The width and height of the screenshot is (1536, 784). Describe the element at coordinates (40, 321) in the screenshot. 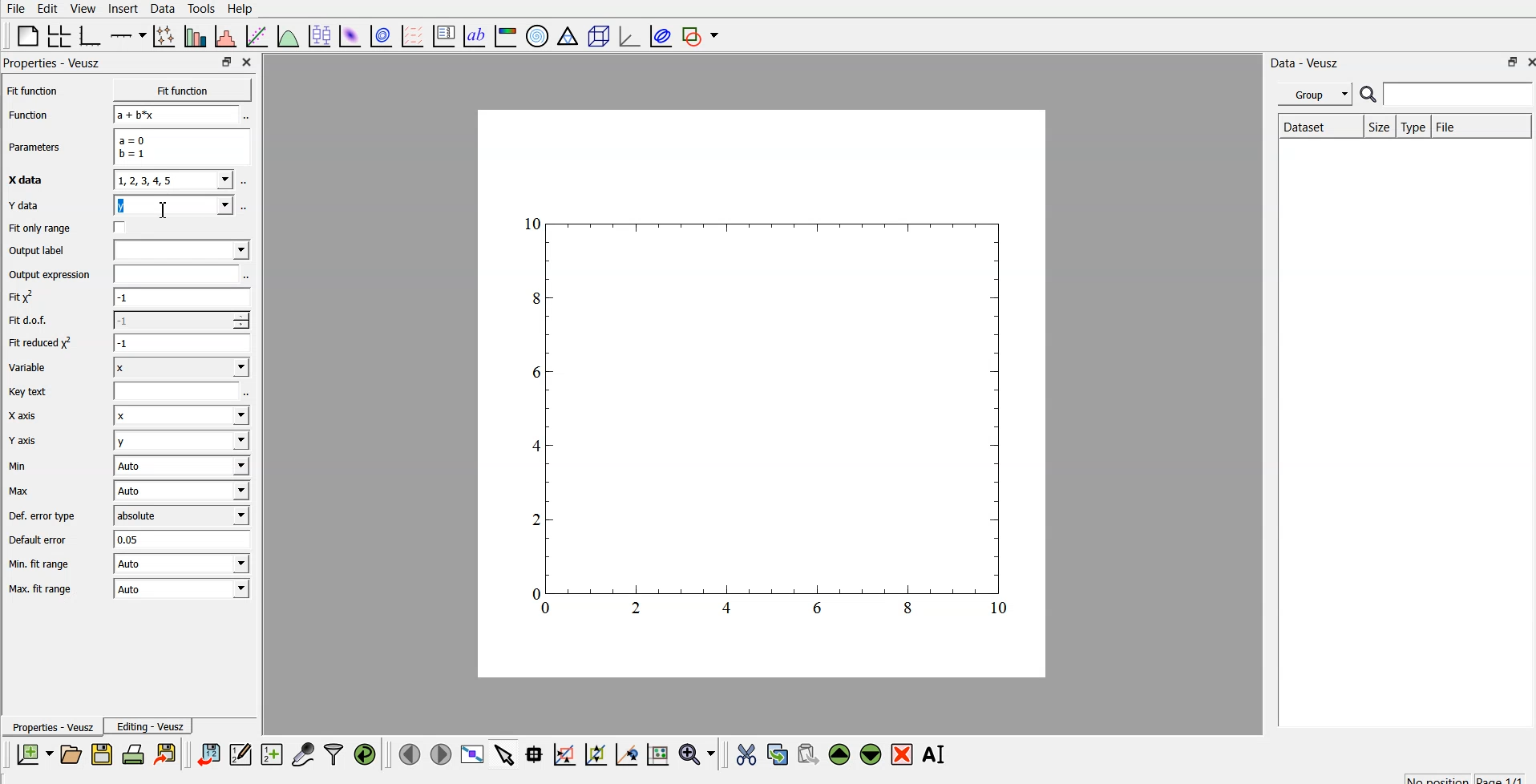

I see `Fit dof.` at that location.